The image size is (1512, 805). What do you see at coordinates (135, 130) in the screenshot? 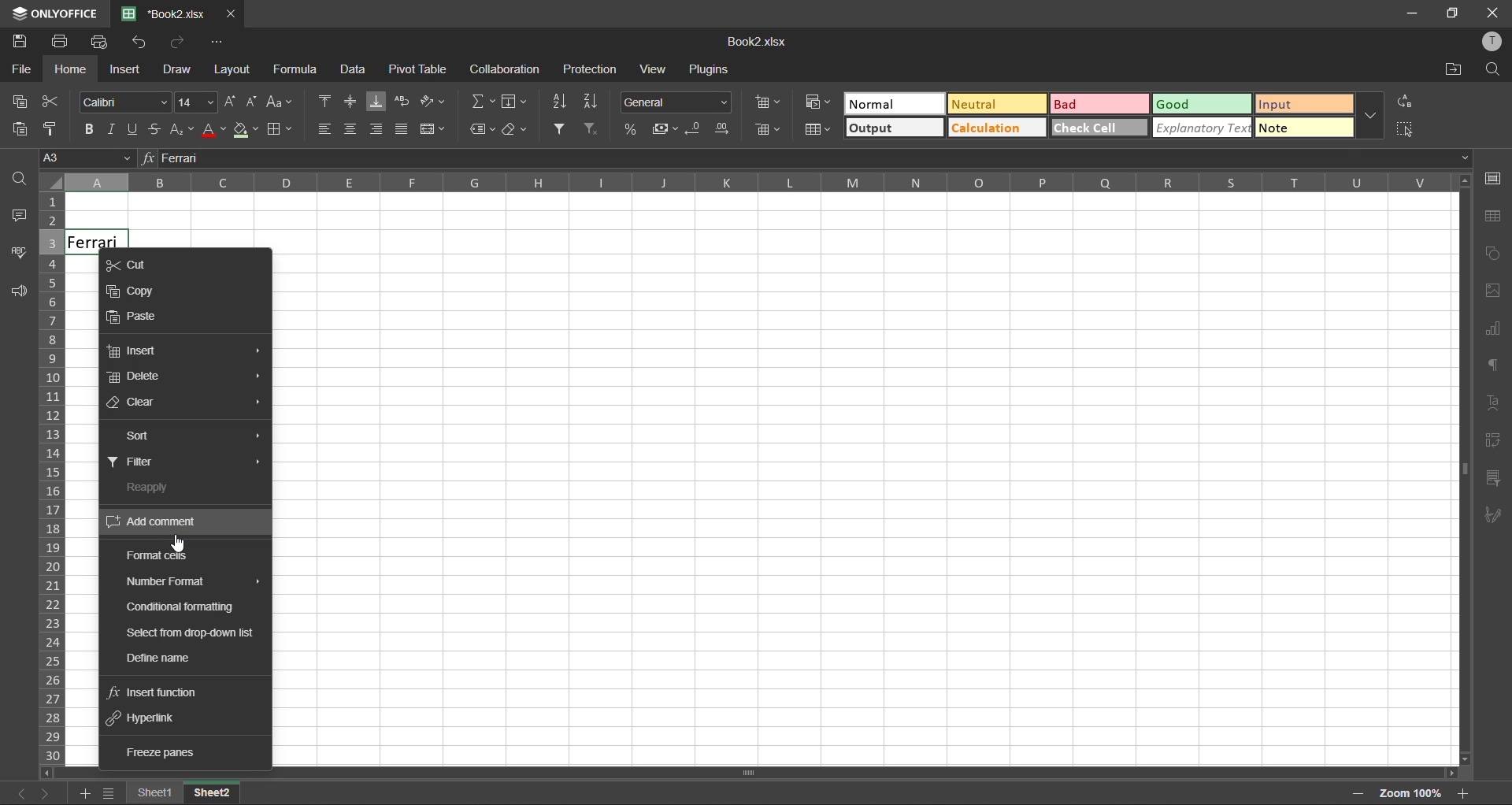
I see `underline` at bounding box center [135, 130].